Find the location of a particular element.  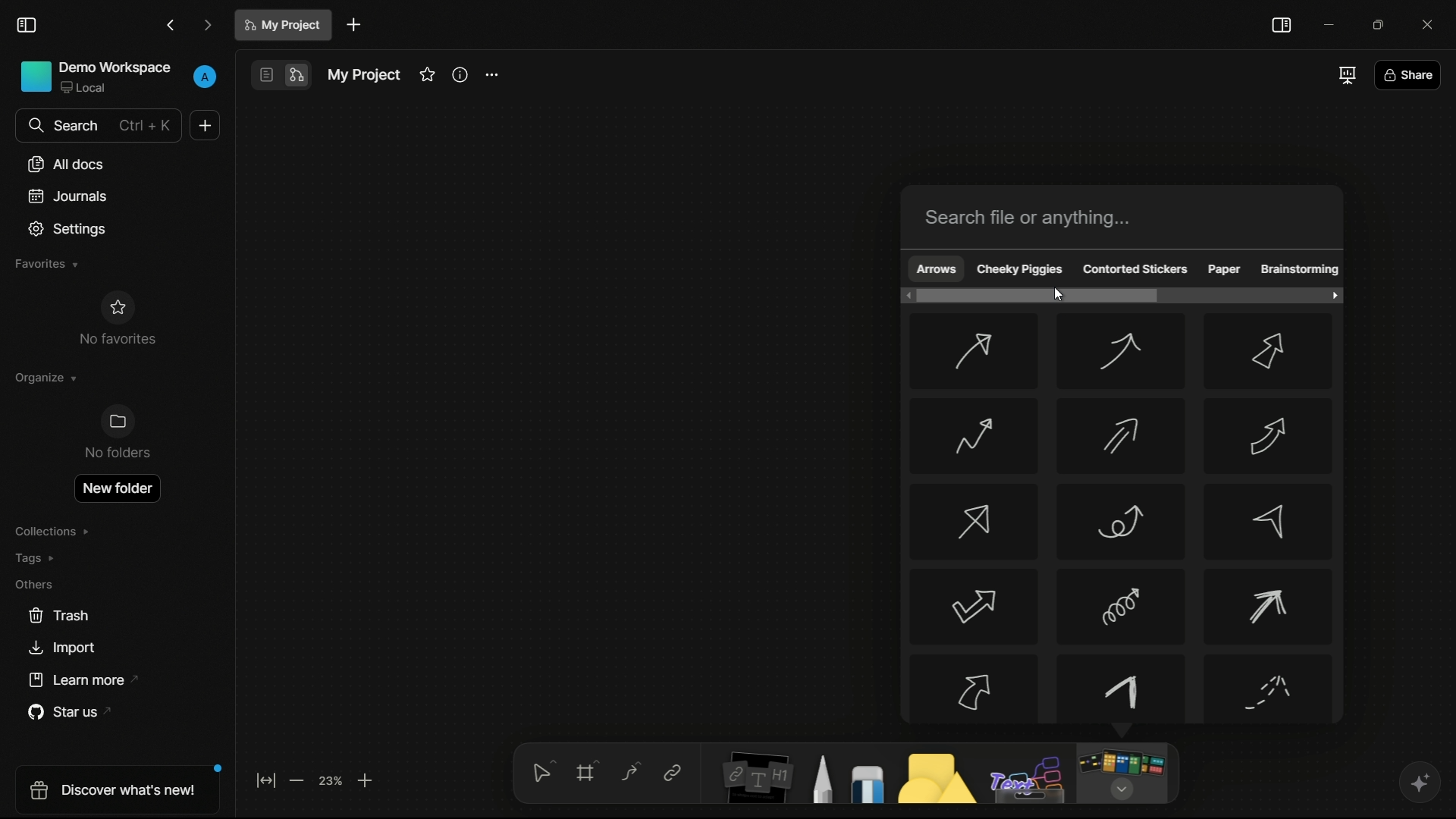

arrow-9 is located at coordinates (1266, 522).